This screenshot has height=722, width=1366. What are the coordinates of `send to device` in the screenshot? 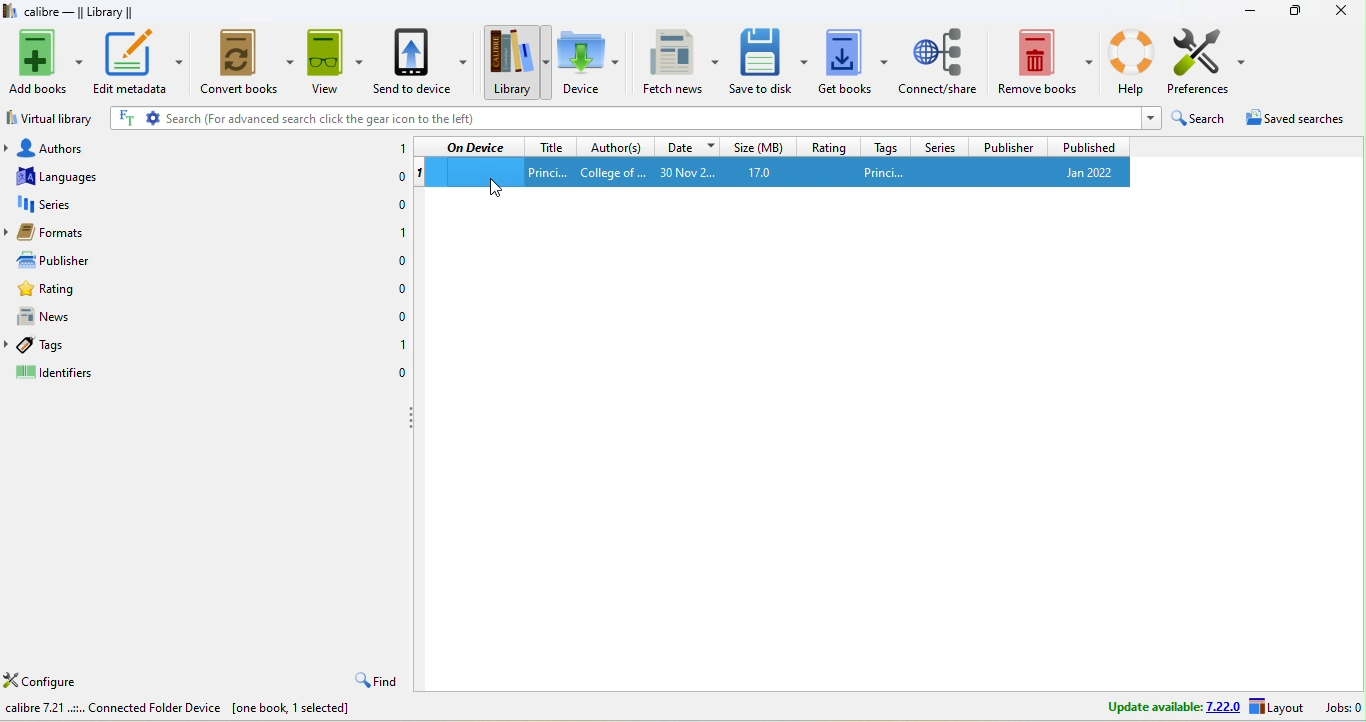 It's located at (423, 63).